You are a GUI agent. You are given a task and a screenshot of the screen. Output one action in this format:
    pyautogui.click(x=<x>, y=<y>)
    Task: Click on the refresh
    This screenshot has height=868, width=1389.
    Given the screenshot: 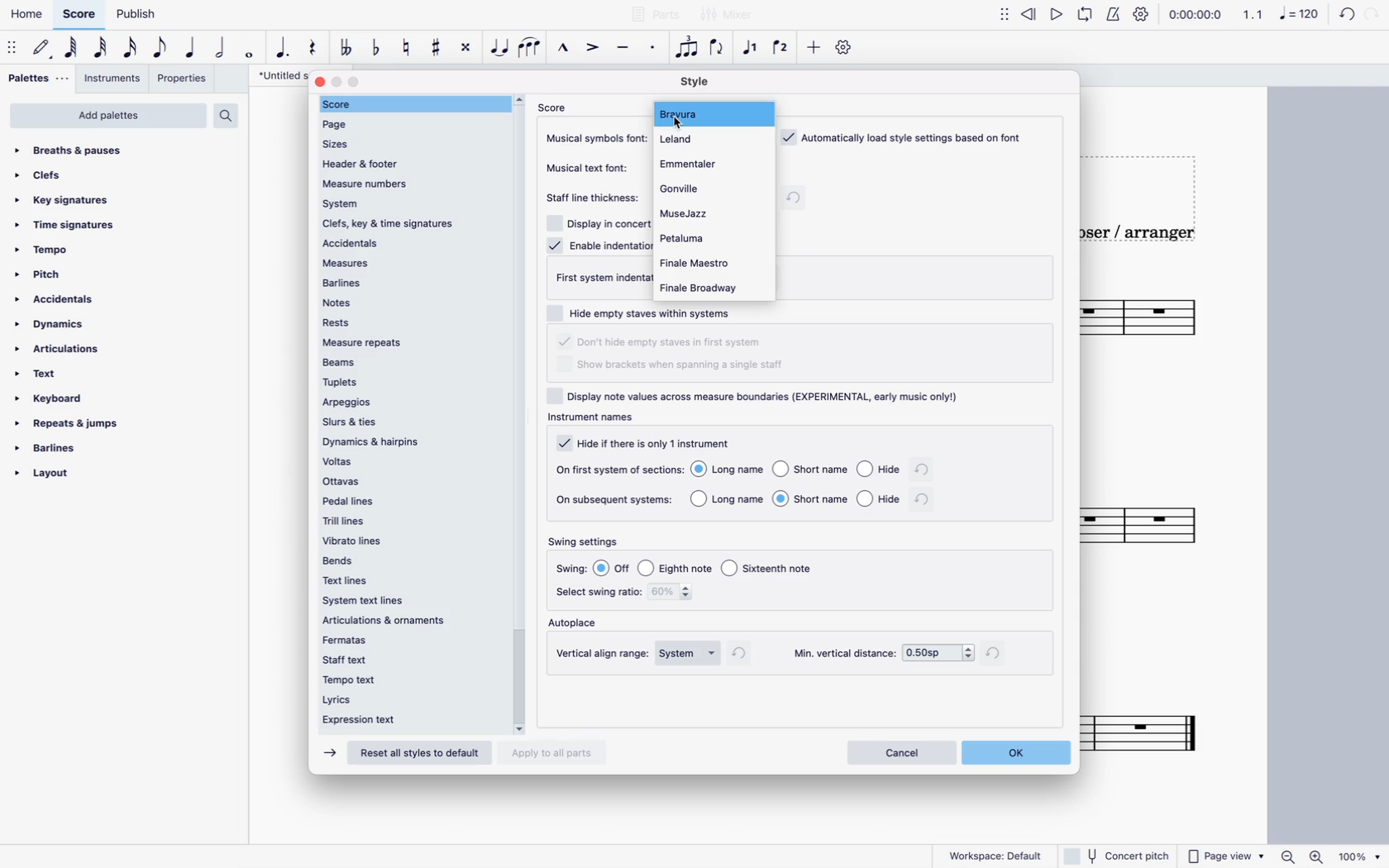 What is the action you would take?
    pyautogui.click(x=798, y=199)
    